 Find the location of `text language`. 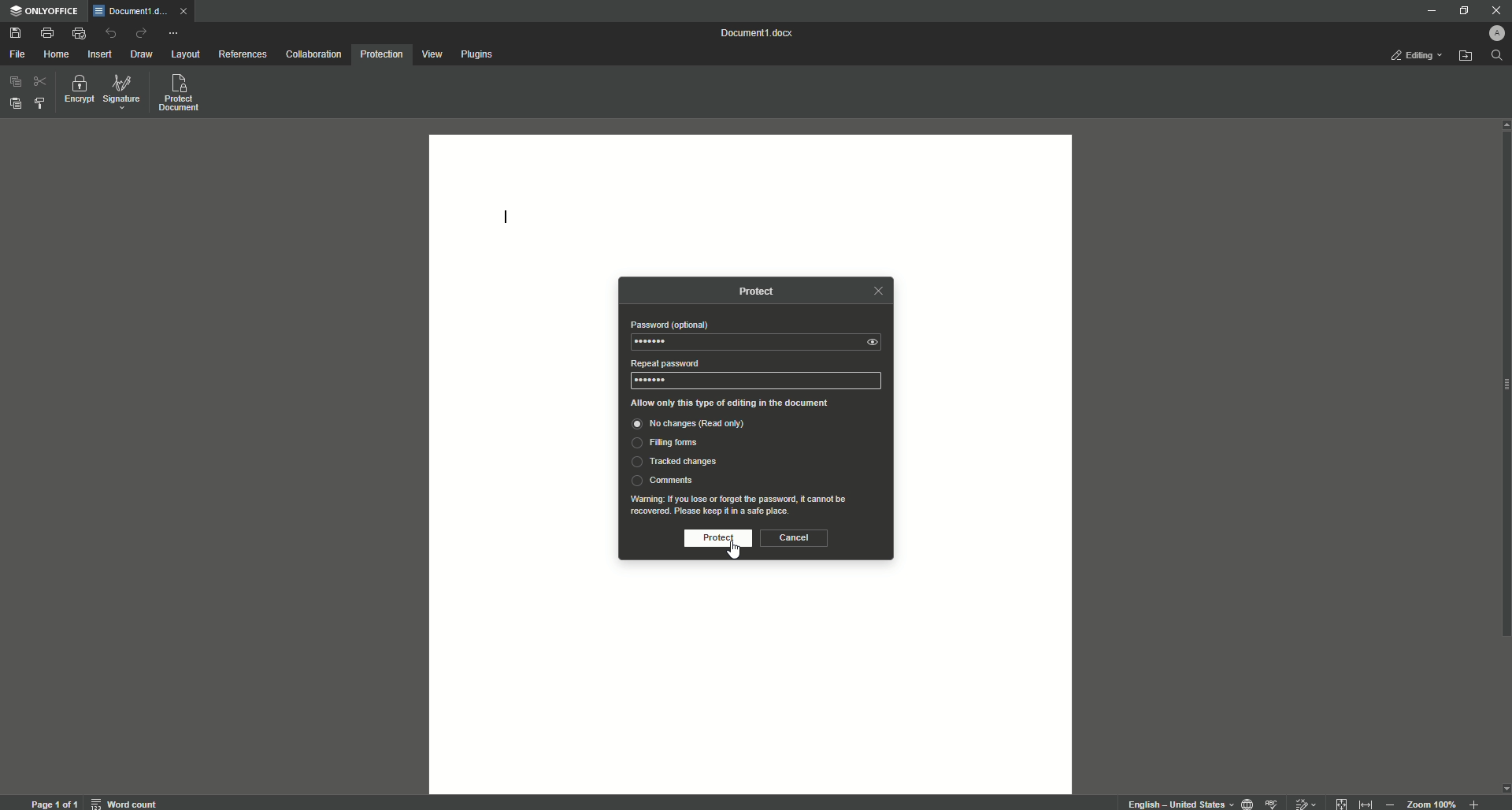

text language is located at coordinates (1179, 804).